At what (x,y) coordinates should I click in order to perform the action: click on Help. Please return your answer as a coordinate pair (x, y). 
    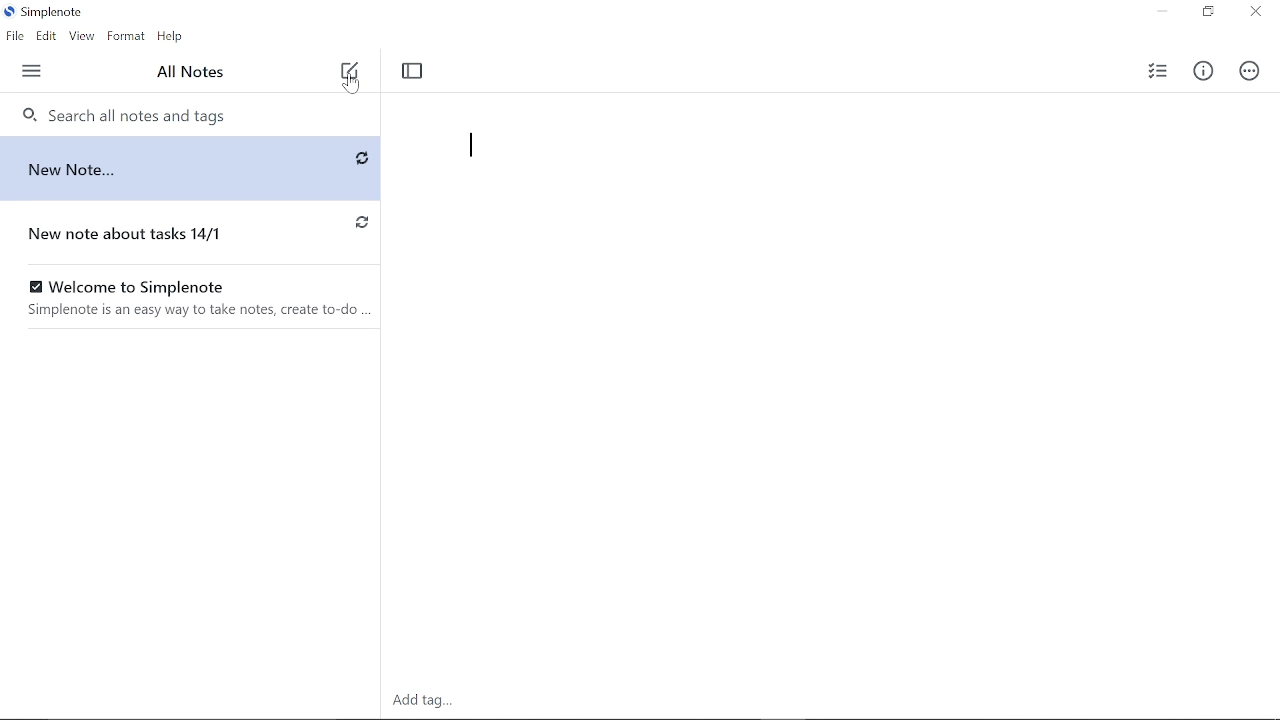
    Looking at the image, I should click on (172, 37).